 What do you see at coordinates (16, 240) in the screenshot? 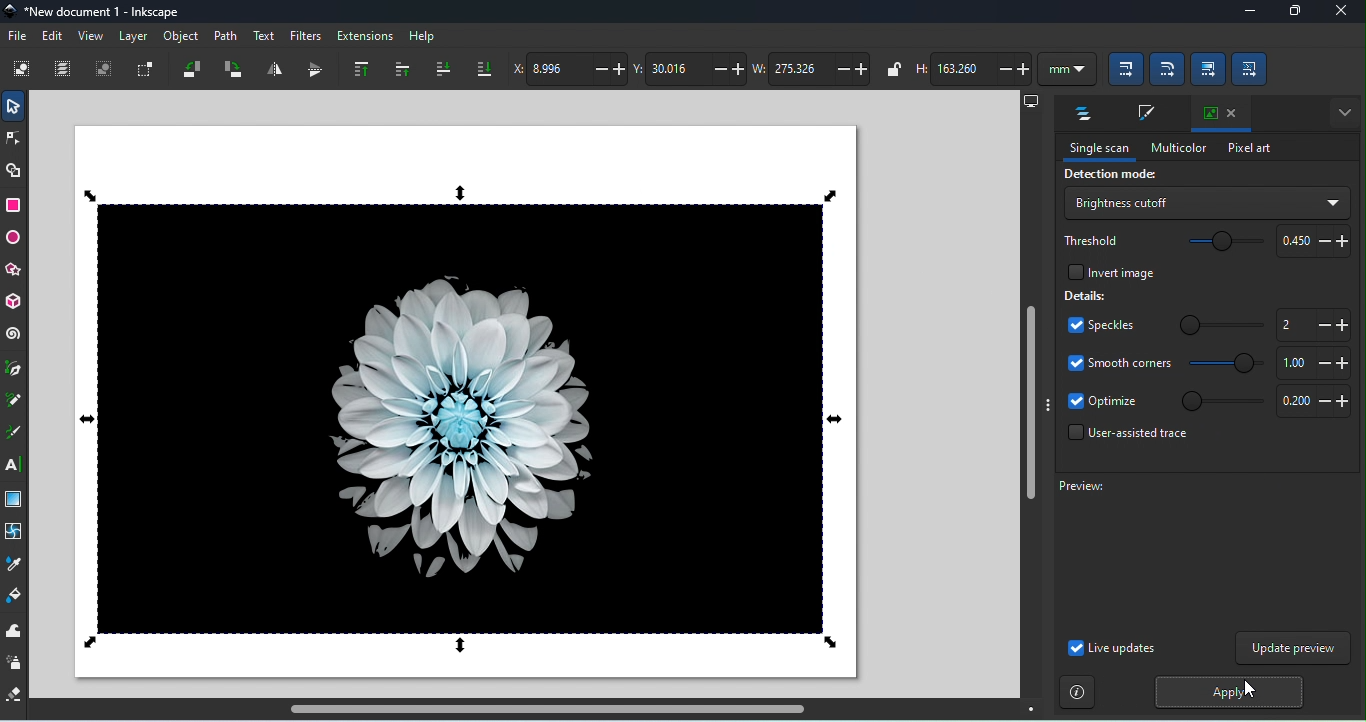
I see `Ellipse/arc tool` at bounding box center [16, 240].